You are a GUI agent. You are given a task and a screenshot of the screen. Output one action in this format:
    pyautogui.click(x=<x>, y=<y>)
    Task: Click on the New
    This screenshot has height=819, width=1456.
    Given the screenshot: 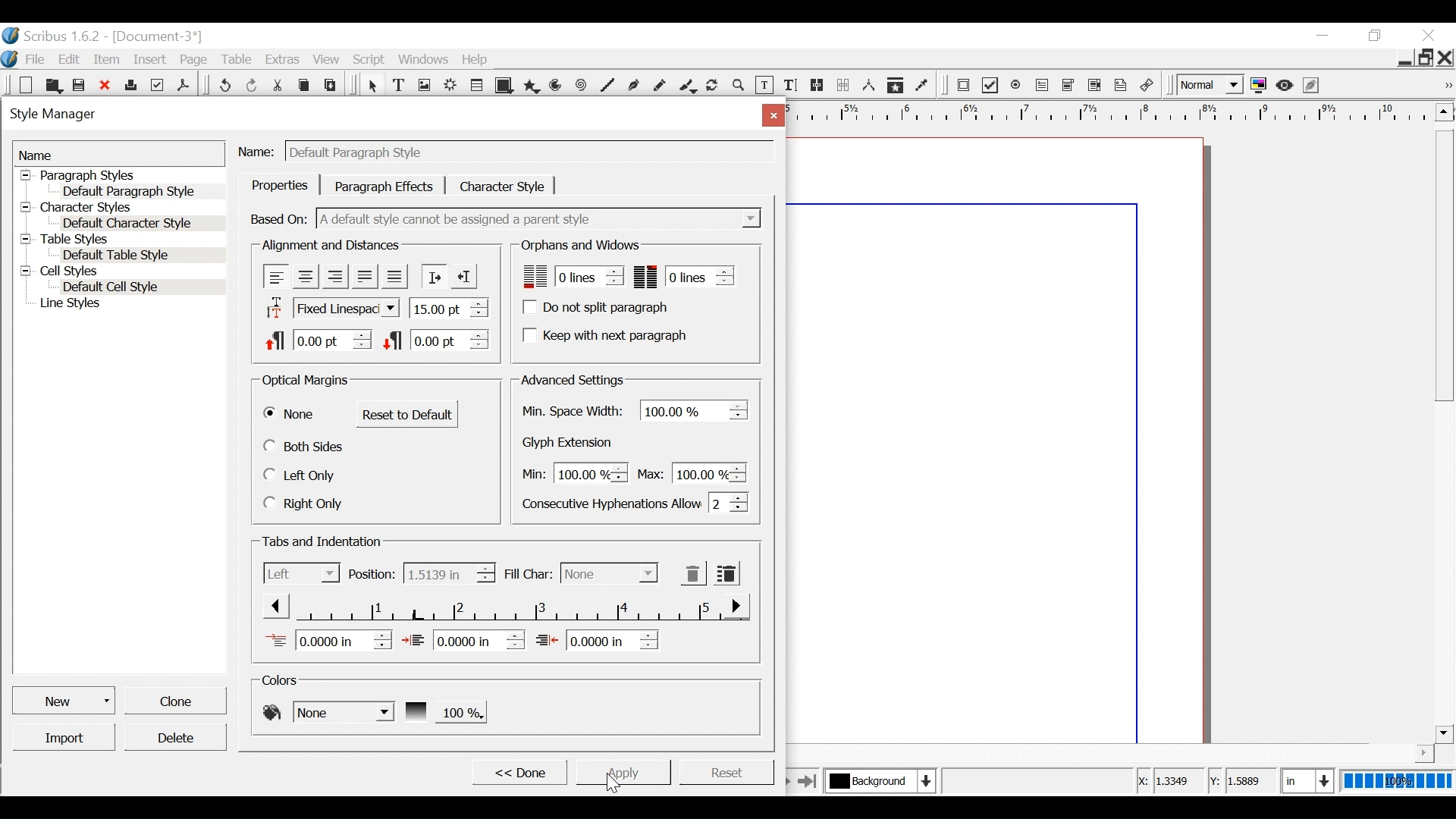 What is the action you would take?
    pyautogui.click(x=65, y=699)
    